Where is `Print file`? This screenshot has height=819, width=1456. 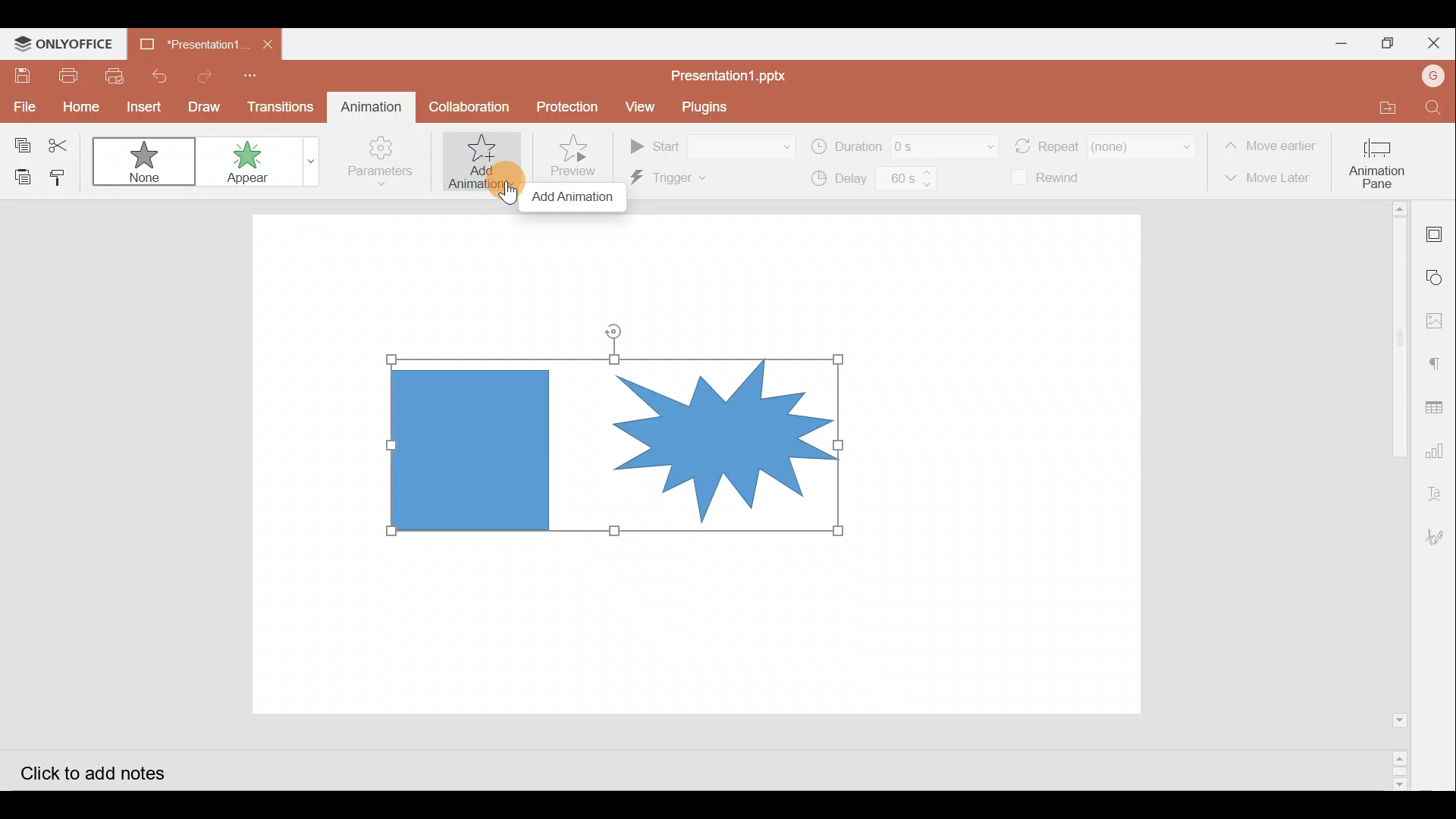
Print file is located at coordinates (70, 75).